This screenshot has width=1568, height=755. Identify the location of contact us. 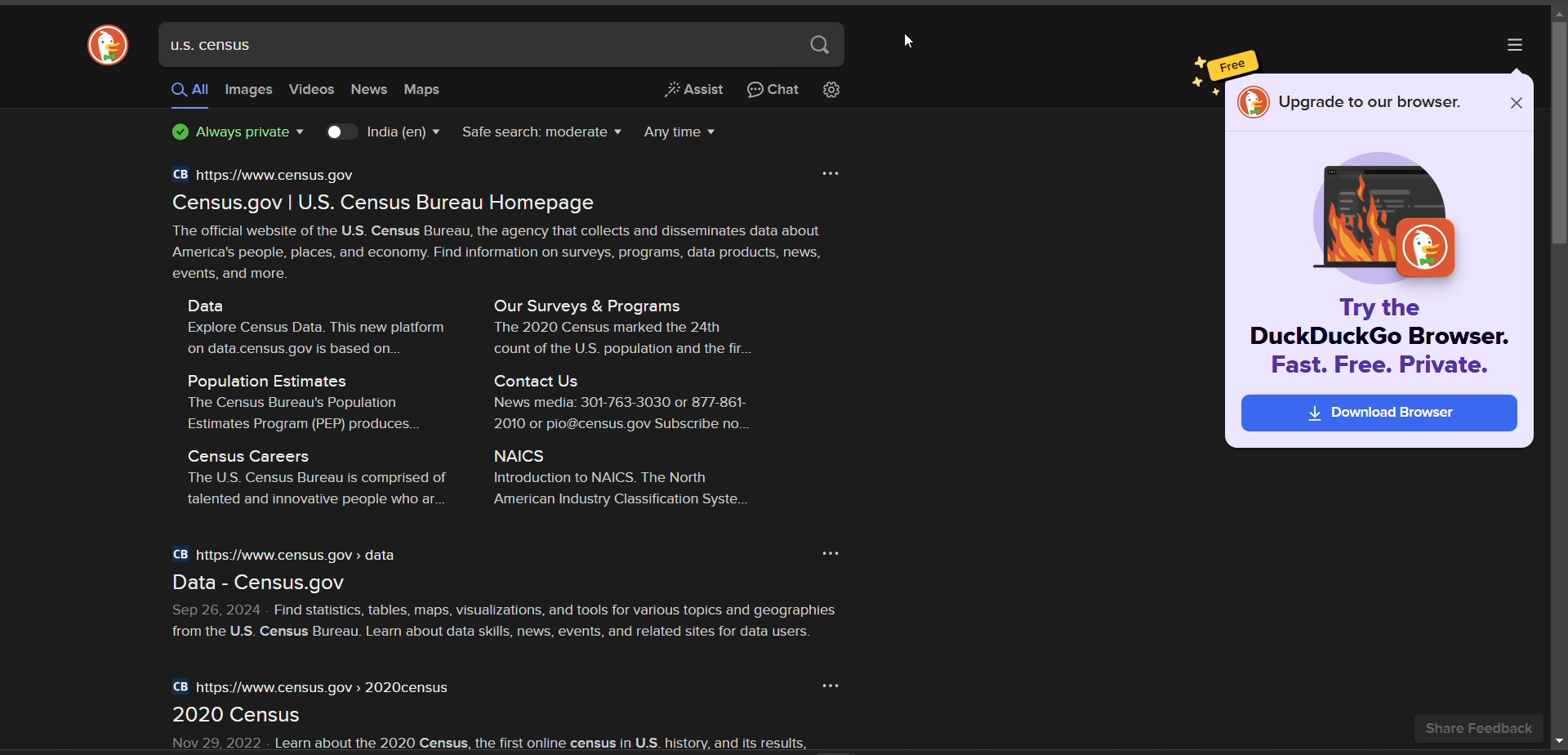
(550, 382).